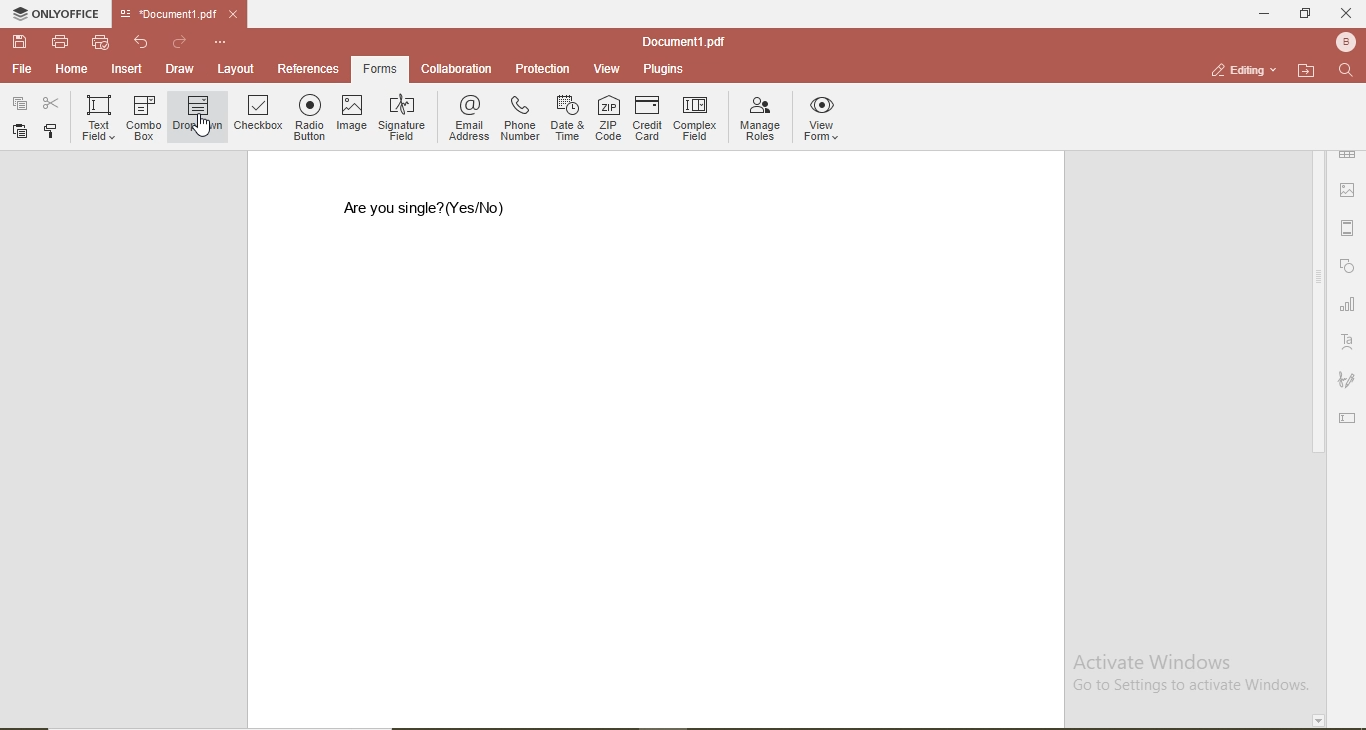  I want to click on document, so click(681, 41).